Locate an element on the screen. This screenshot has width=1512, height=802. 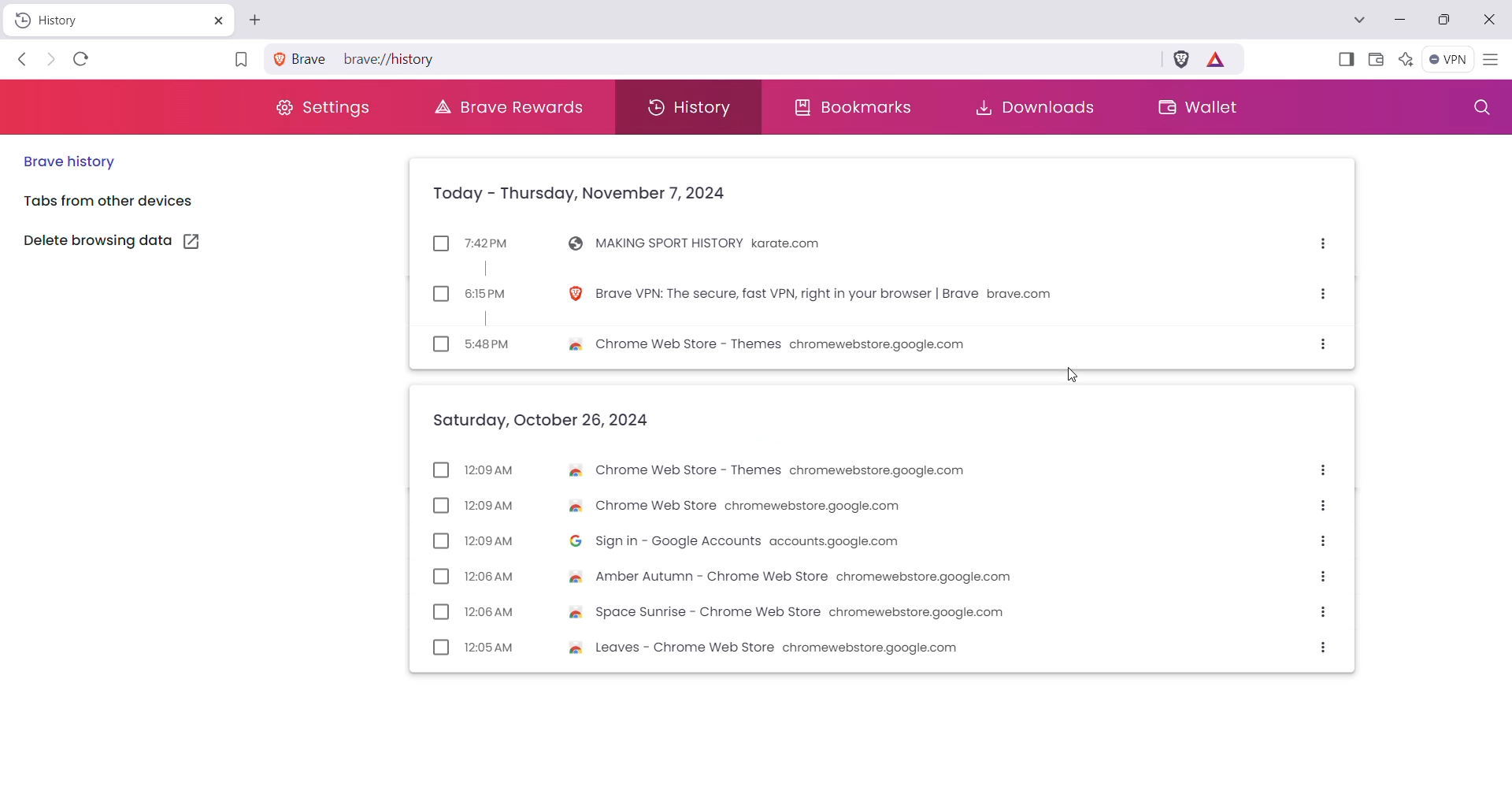
checkbox is located at coordinates (440, 541).